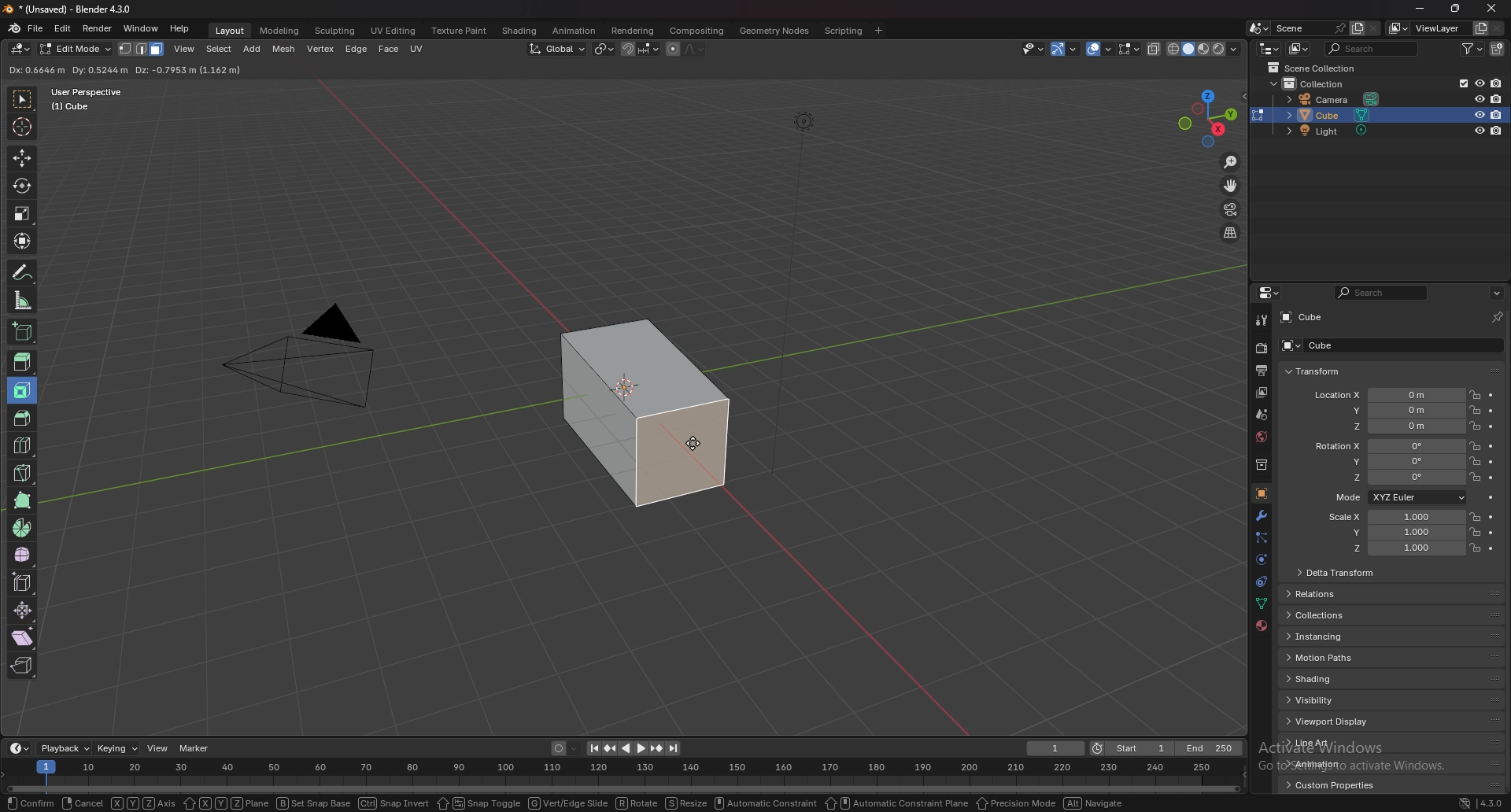  What do you see at coordinates (1096, 803) in the screenshot?
I see `navigate` at bounding box center [1096, 803].